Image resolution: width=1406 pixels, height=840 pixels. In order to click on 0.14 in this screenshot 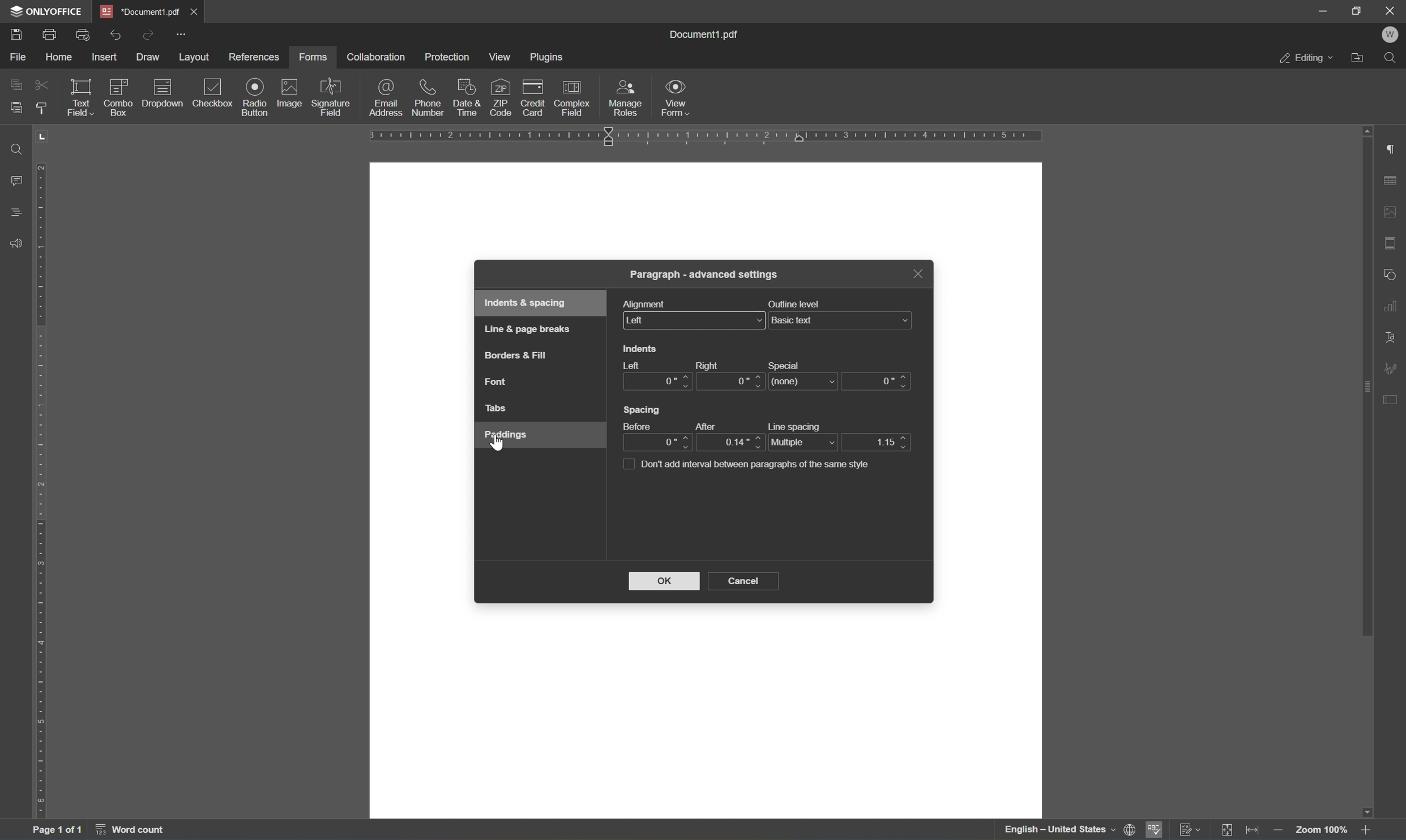, I will do `click(731, 443)`.